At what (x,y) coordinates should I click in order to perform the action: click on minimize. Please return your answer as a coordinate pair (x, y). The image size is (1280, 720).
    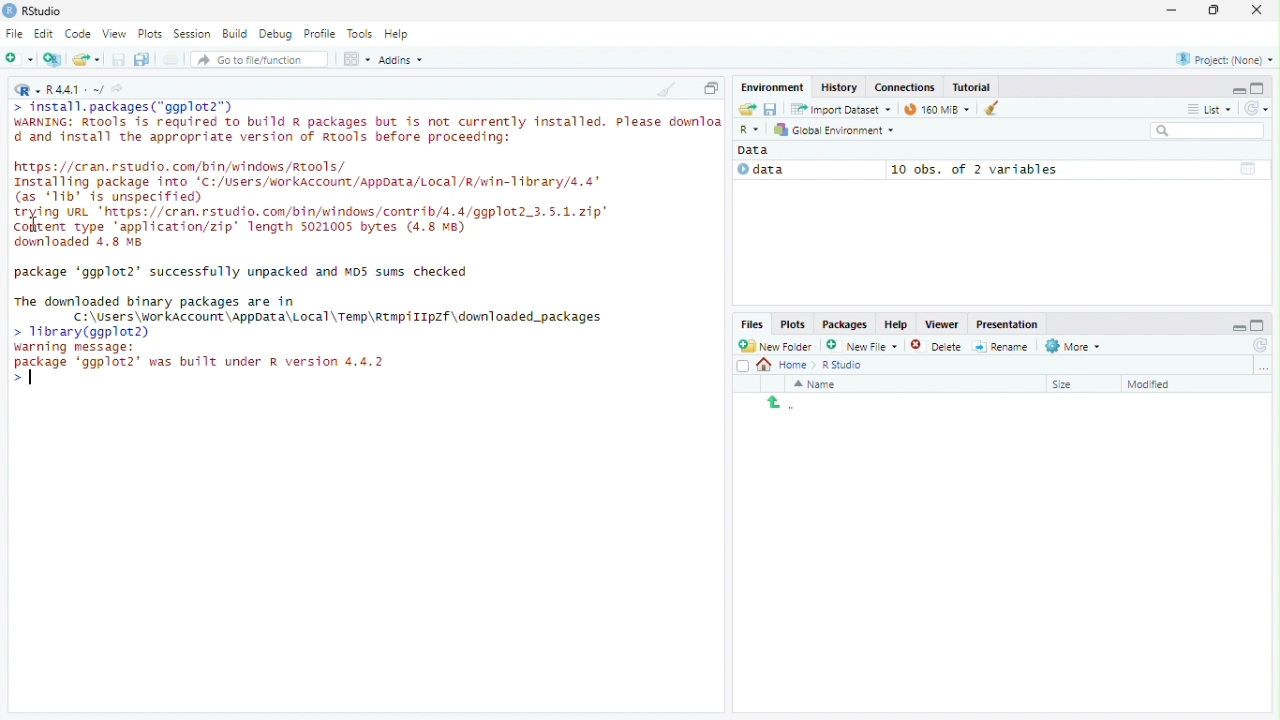
    Looking at the image, I should click on (1238, 89).